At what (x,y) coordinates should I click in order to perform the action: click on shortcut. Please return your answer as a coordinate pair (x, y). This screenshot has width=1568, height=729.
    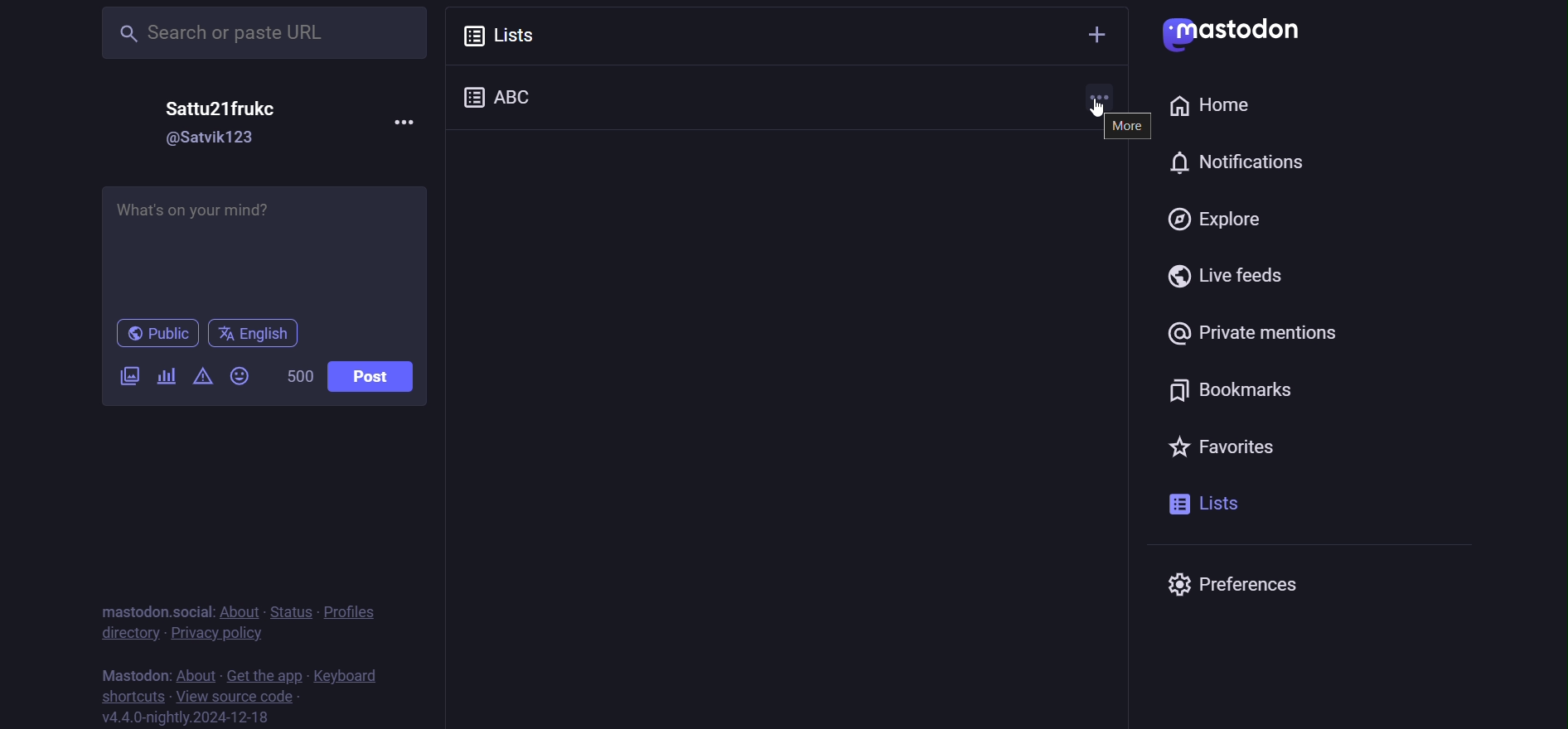
    Looking at the image, I should click on (128, 696).